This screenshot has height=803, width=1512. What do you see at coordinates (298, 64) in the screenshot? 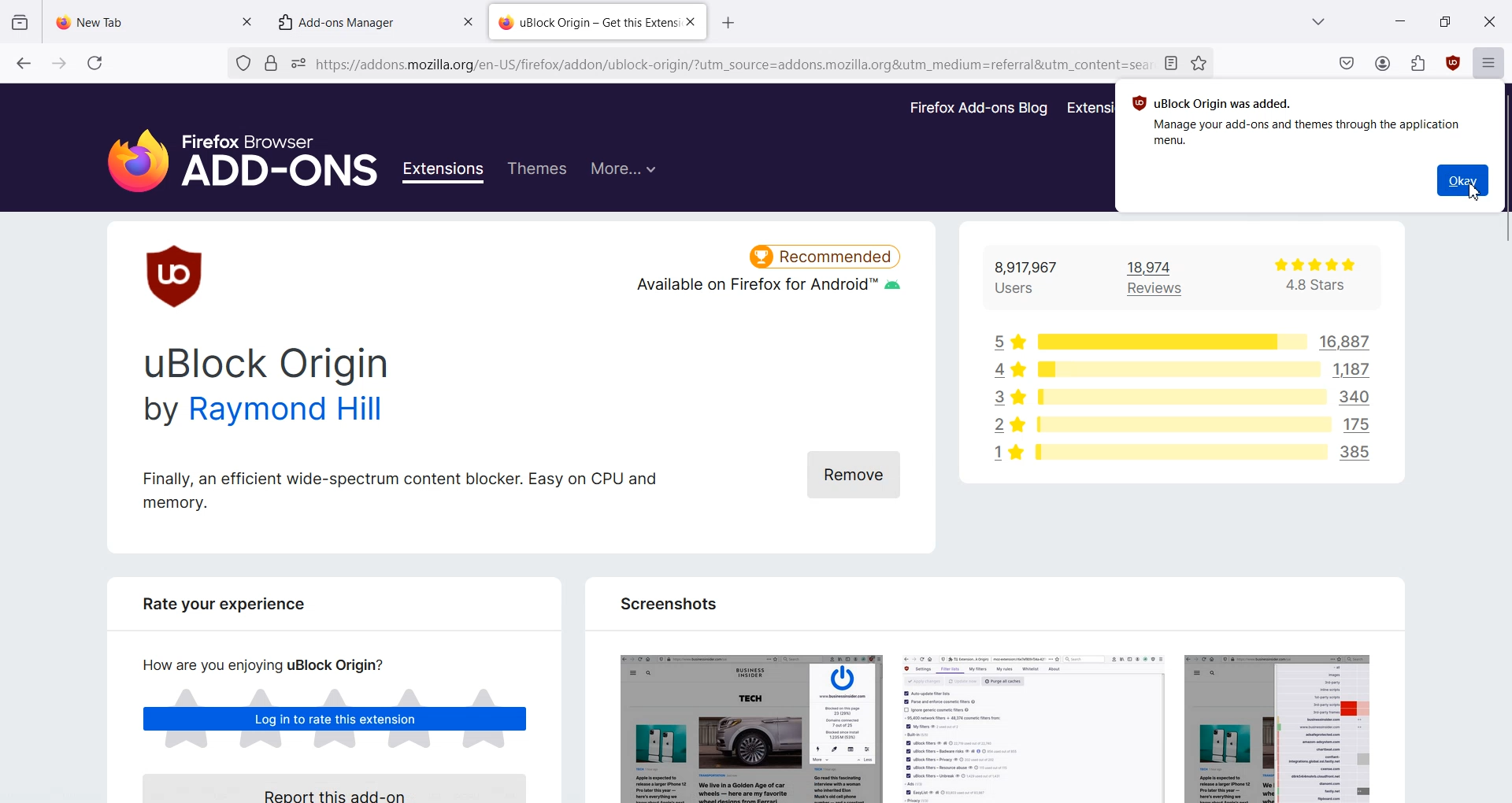
I see `You have granted this website` at bounding box center [298, 64].